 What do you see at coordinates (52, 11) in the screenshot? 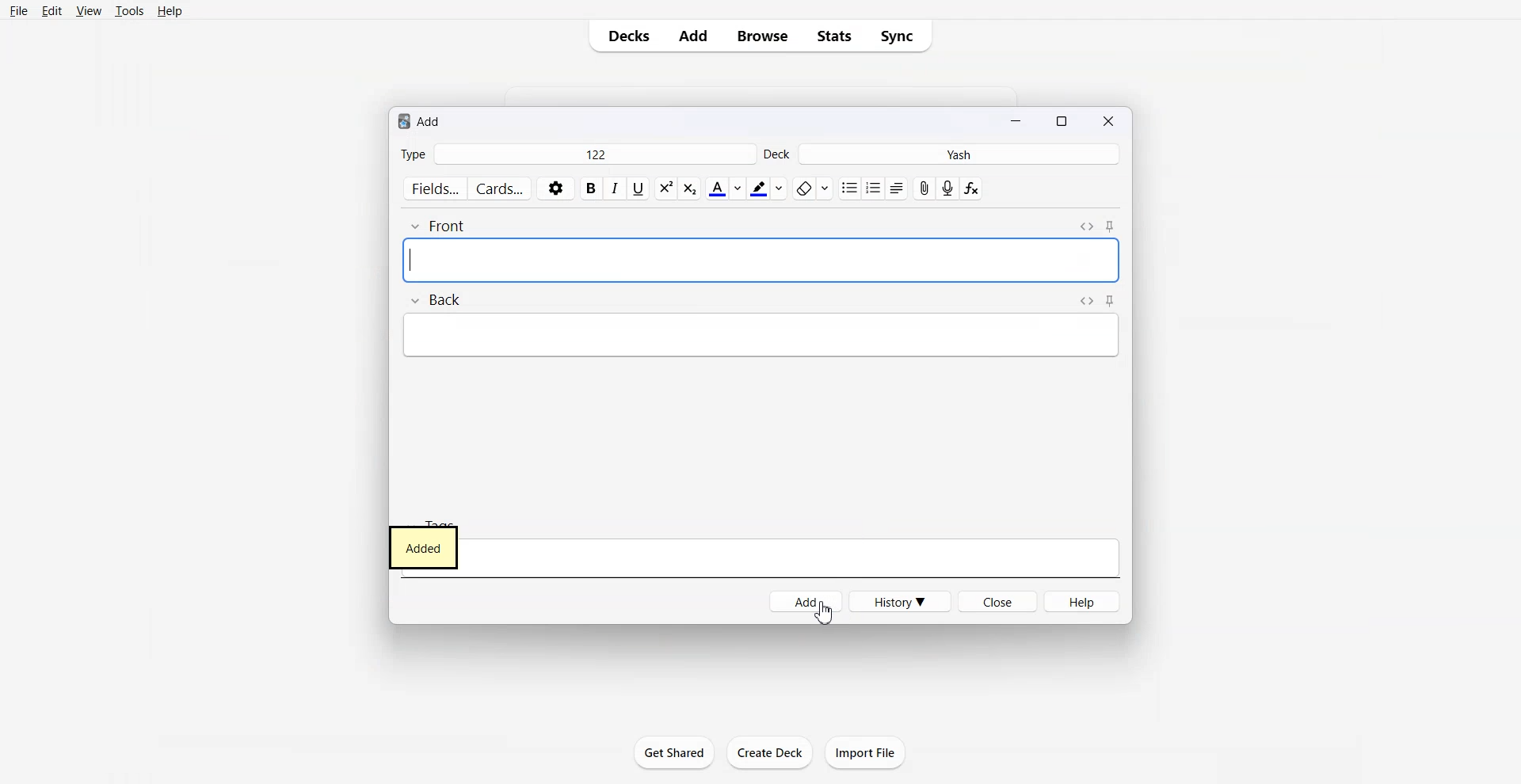
I see `Edit` at bounding box center [52, 11].